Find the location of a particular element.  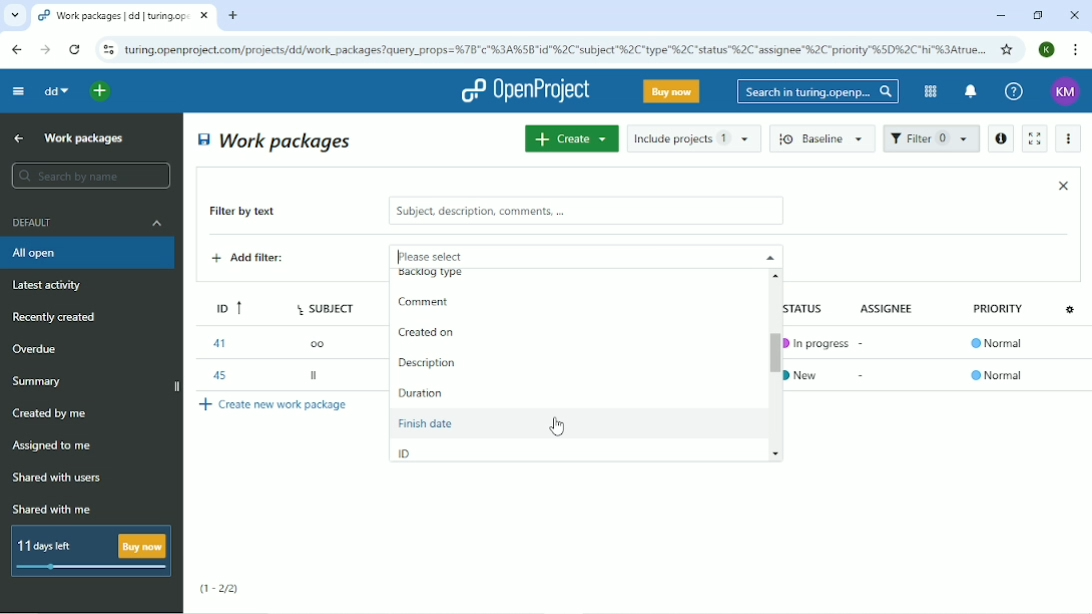

New is located at coordinates (809, 373).